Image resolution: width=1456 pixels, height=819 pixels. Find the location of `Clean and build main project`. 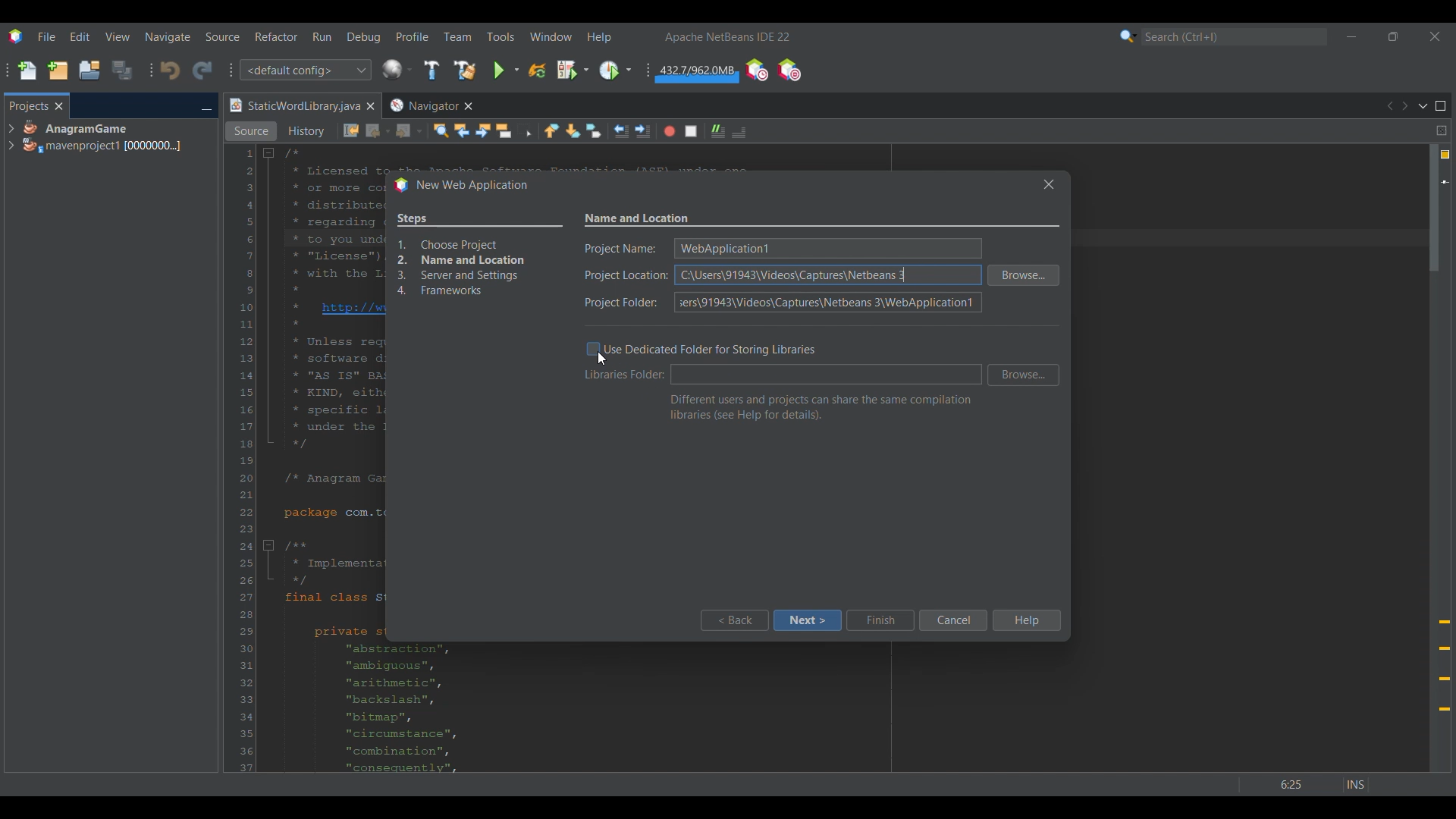

Clean and build main project is located at coordinates (464, 70).